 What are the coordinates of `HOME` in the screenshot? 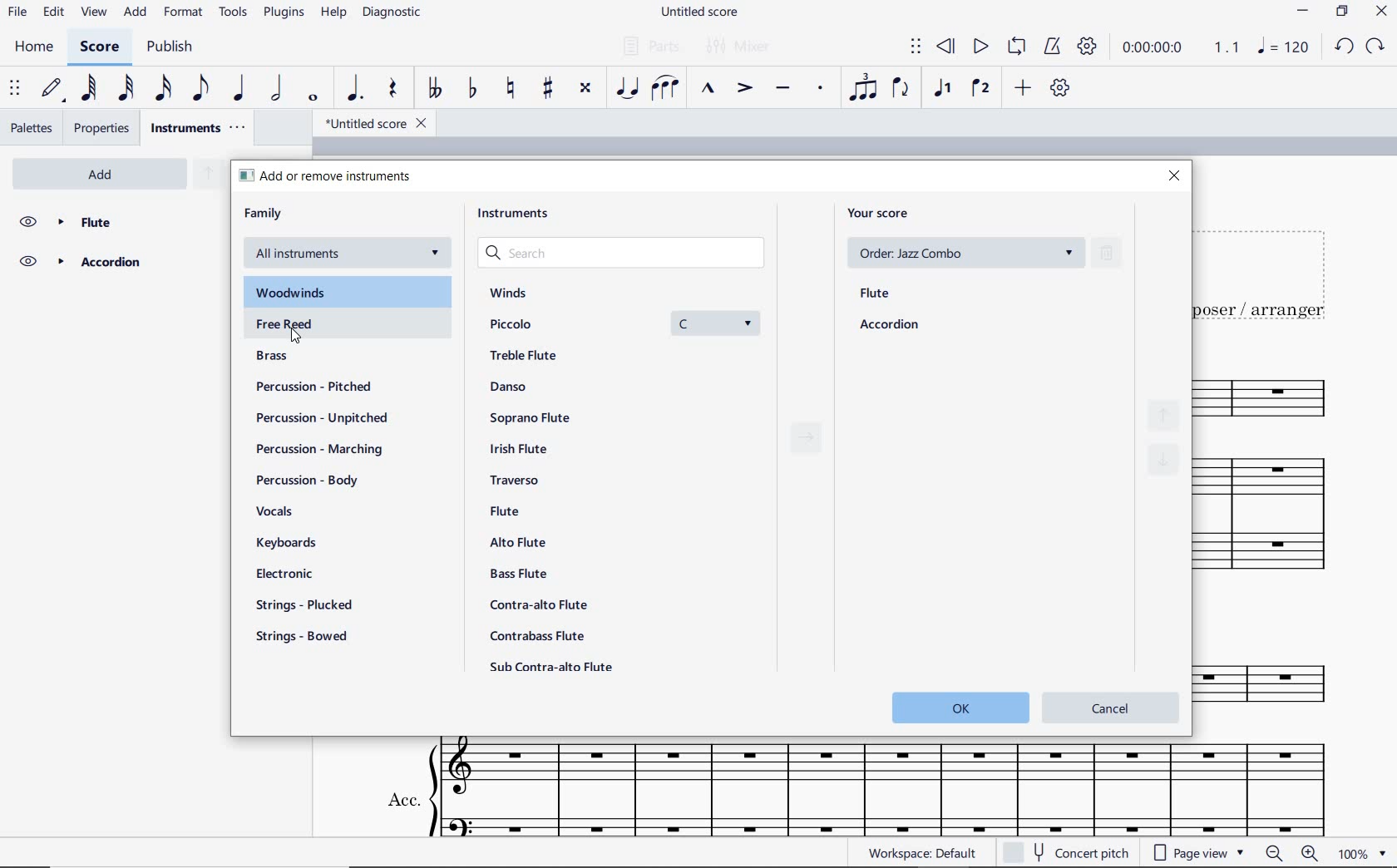 It's located at (34, 49).